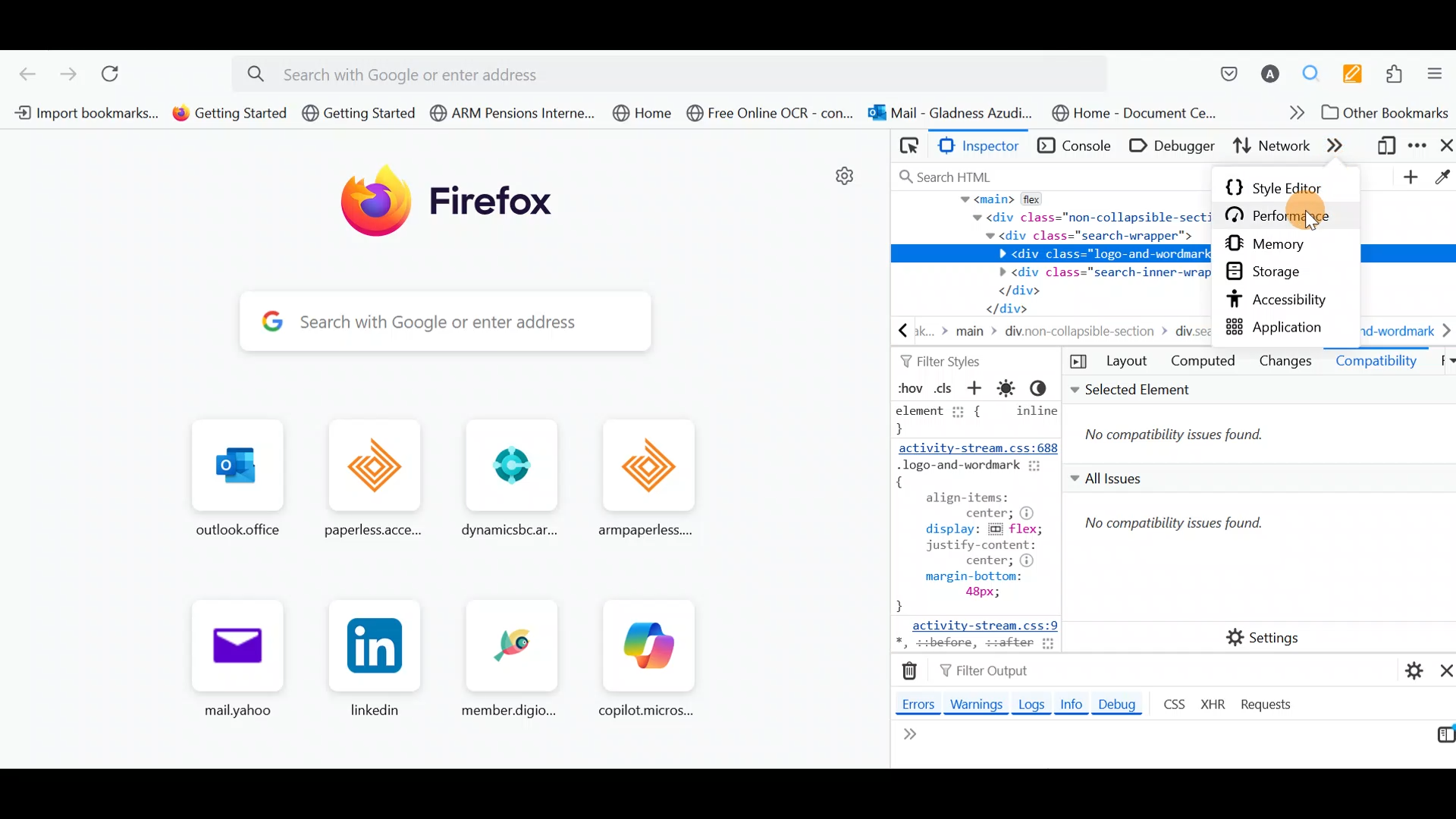 Image resolution: width=1456 pixels, height=819 pixels. Describe the element at coordinates (1407, 668) in the screenshot. I see `Console settings` at that location.